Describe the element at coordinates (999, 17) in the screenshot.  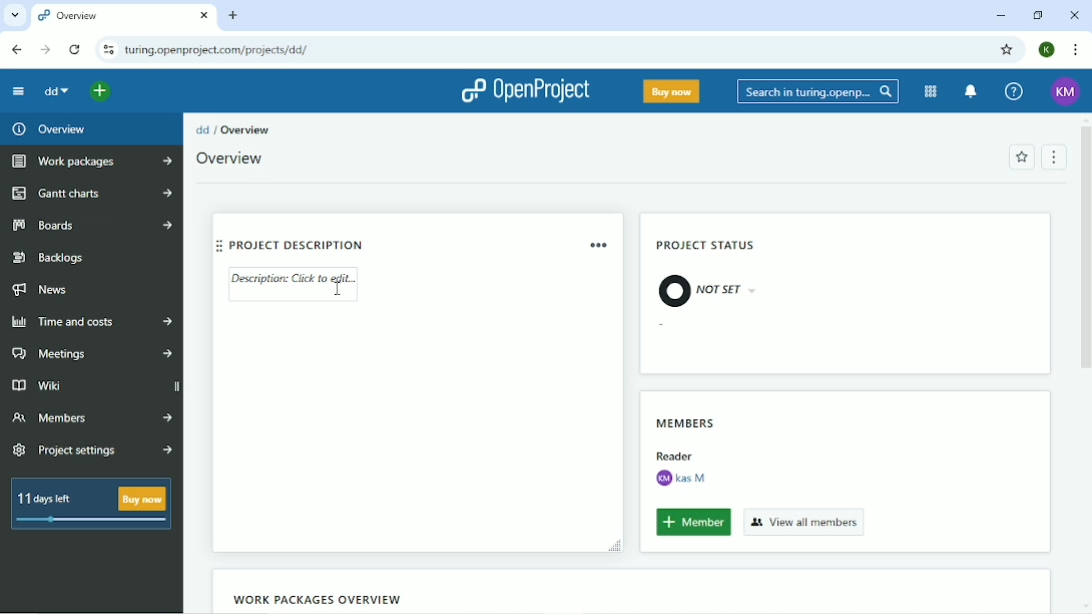
I see `Minimize` at that location.